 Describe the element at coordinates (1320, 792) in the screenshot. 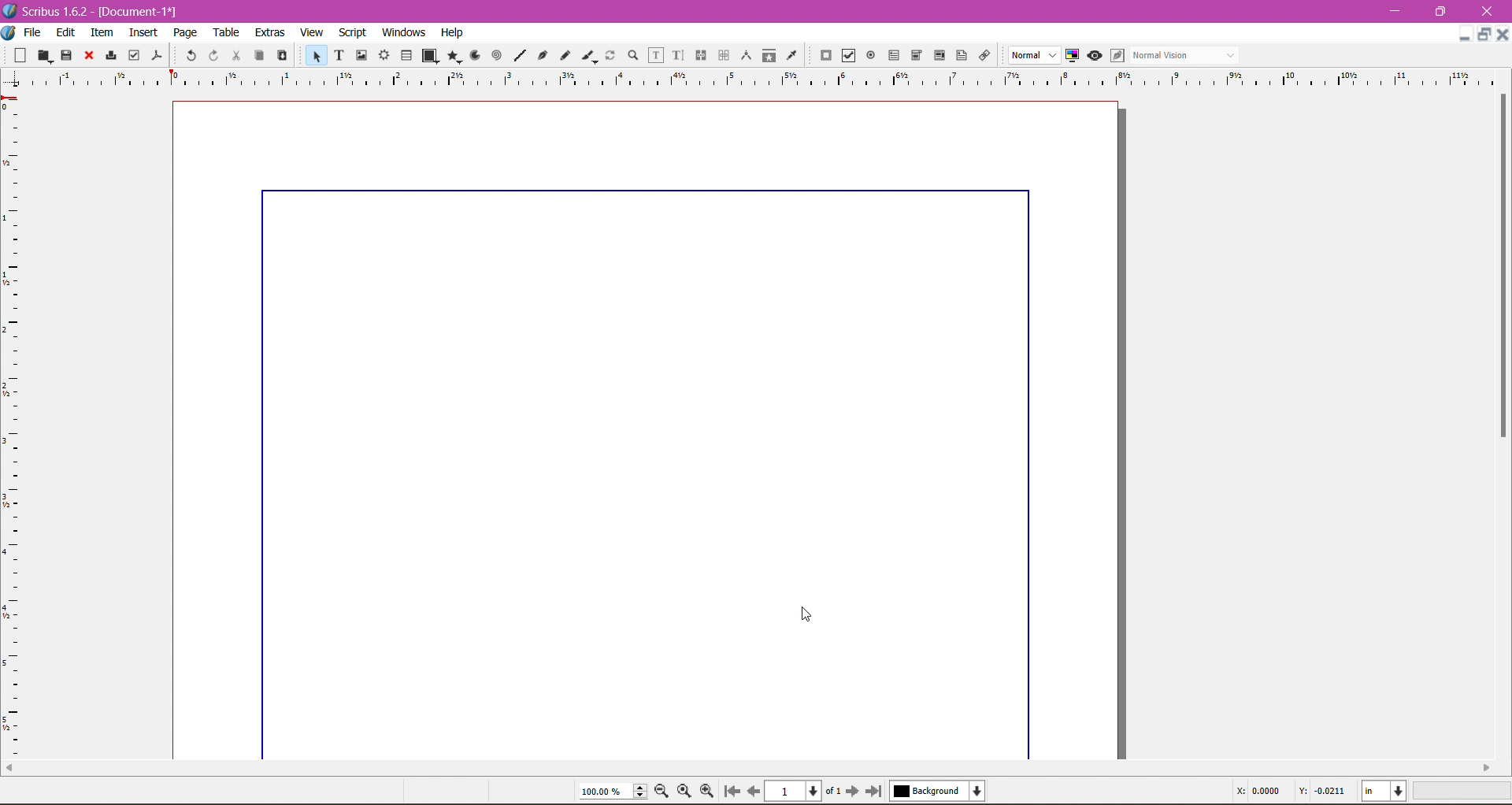

I see `Cursor Coordinate -Y ` at that location.